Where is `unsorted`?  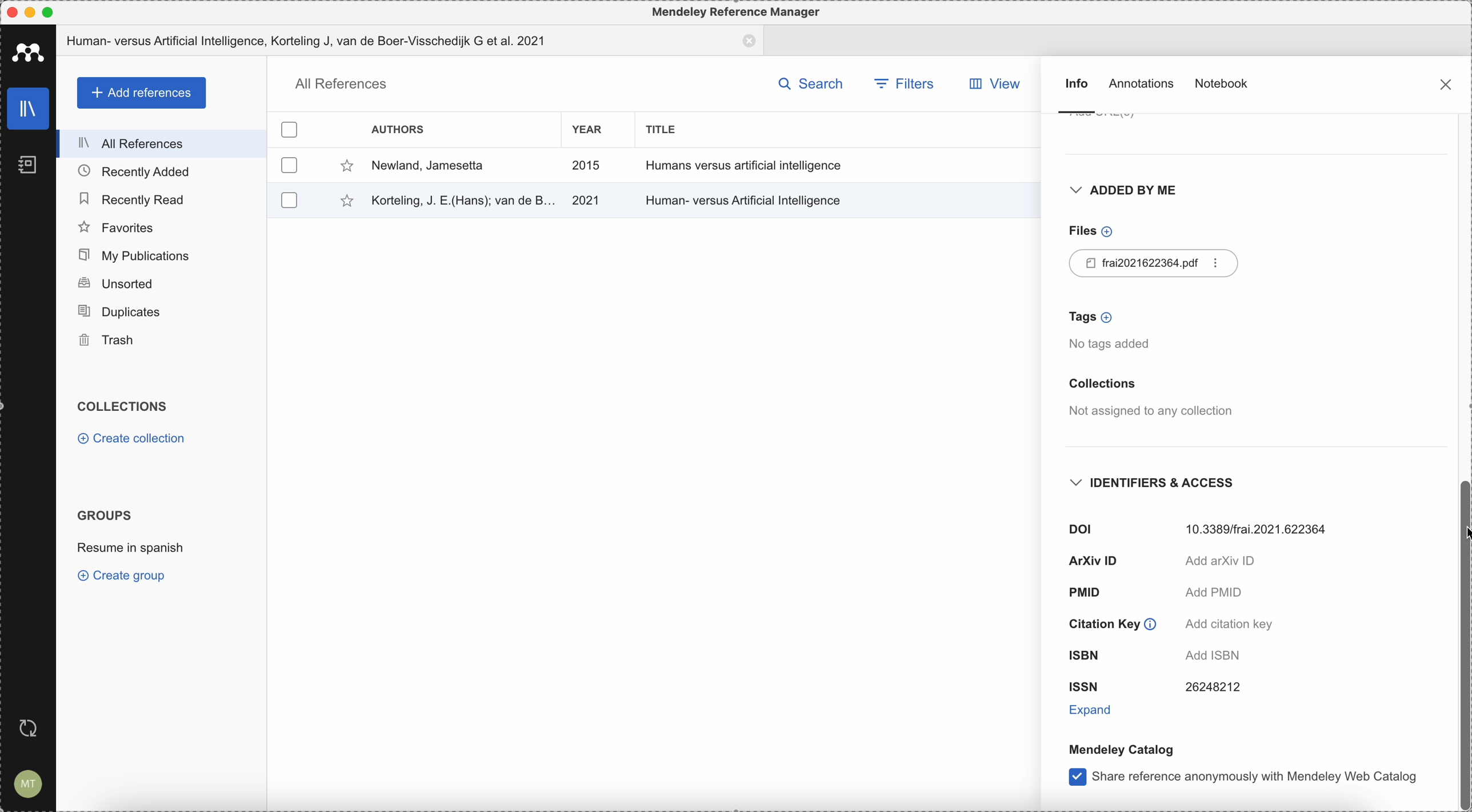
unsorted is located at coordinates (161, 285).